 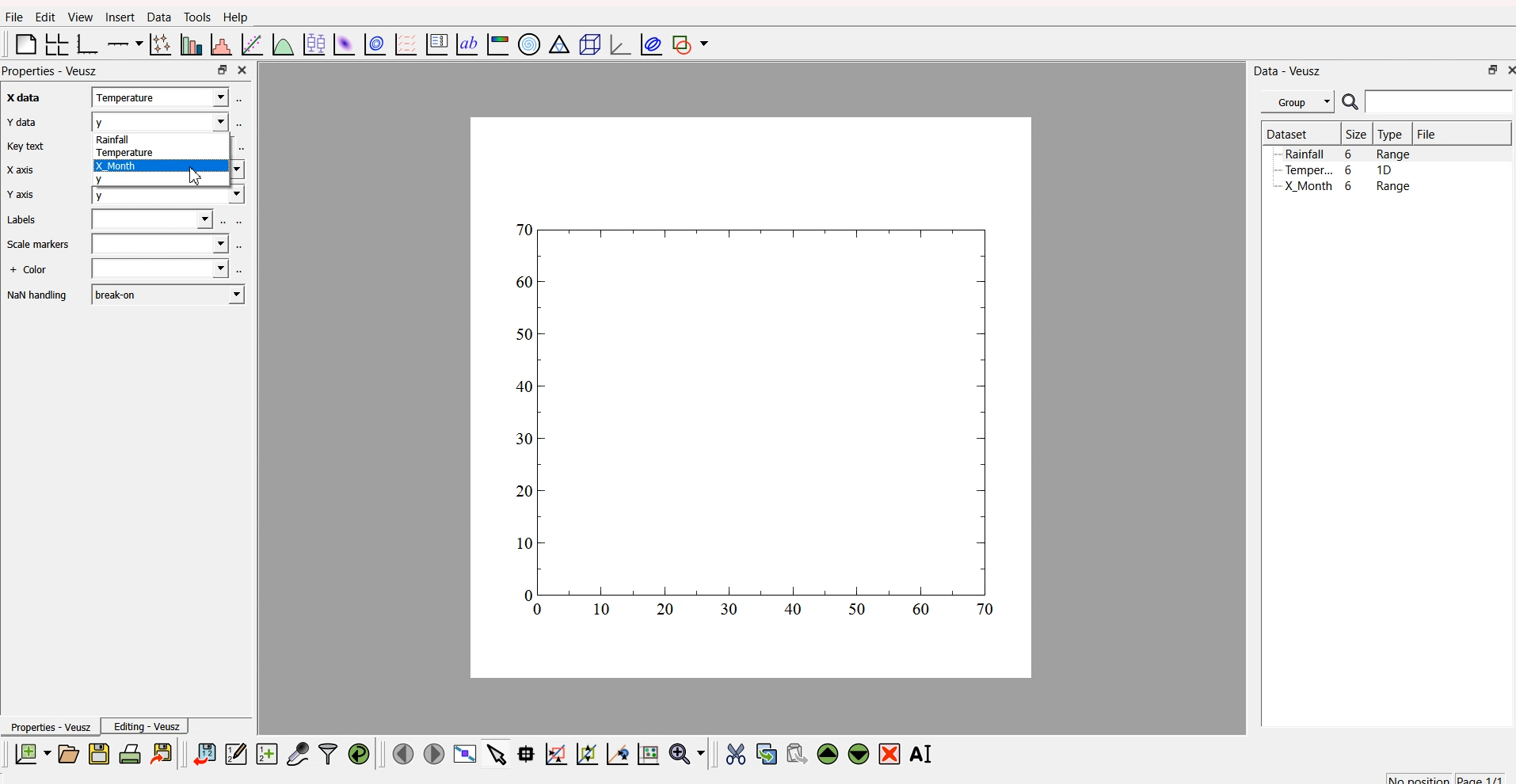 What do you see at coordinates (158, 270) in the screenshot?
I see `field` at bounding box center [158, 270].